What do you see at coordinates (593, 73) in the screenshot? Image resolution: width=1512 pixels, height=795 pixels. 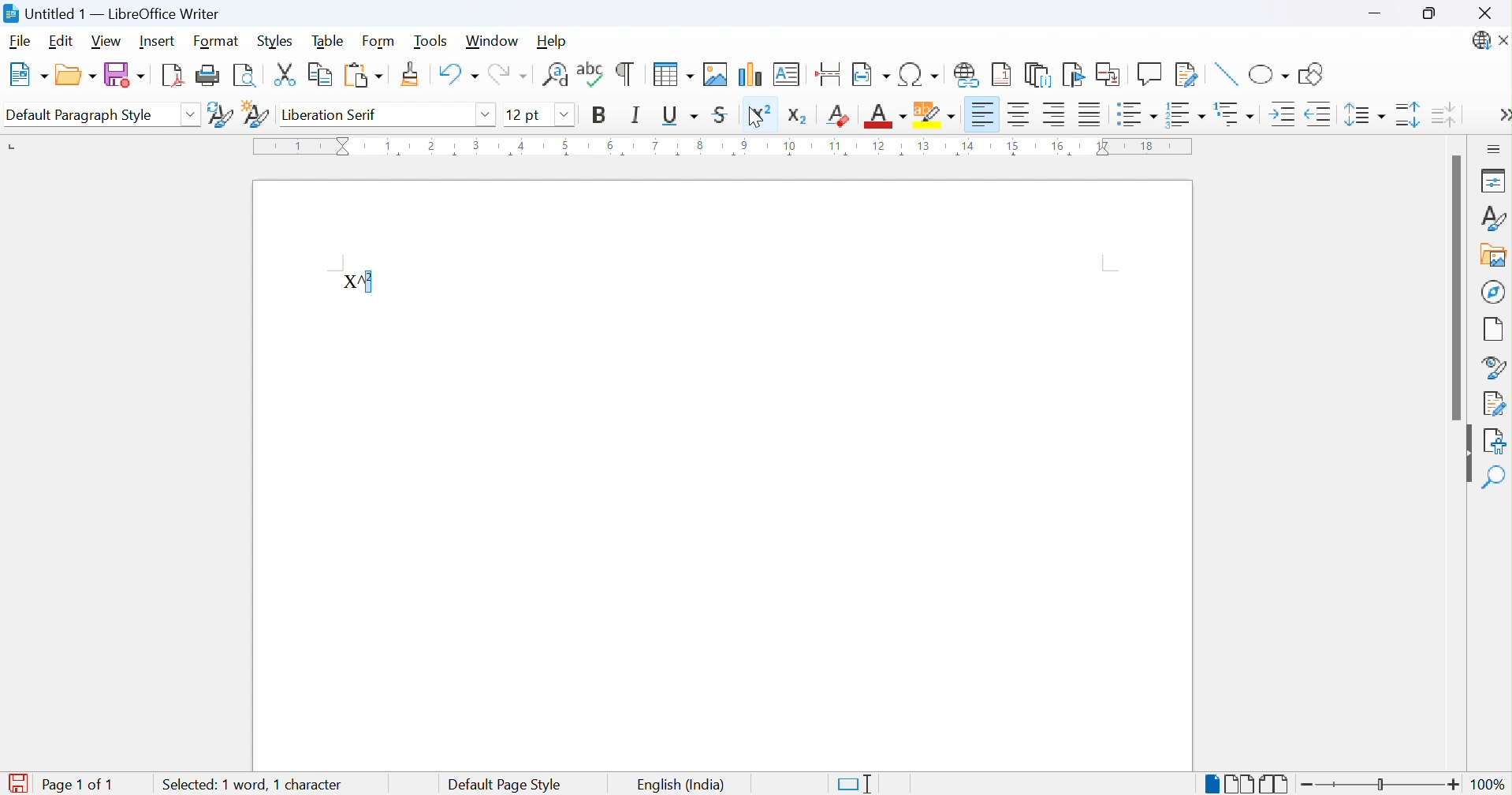 I see `Check spelling` at bounding box center [593, 73].